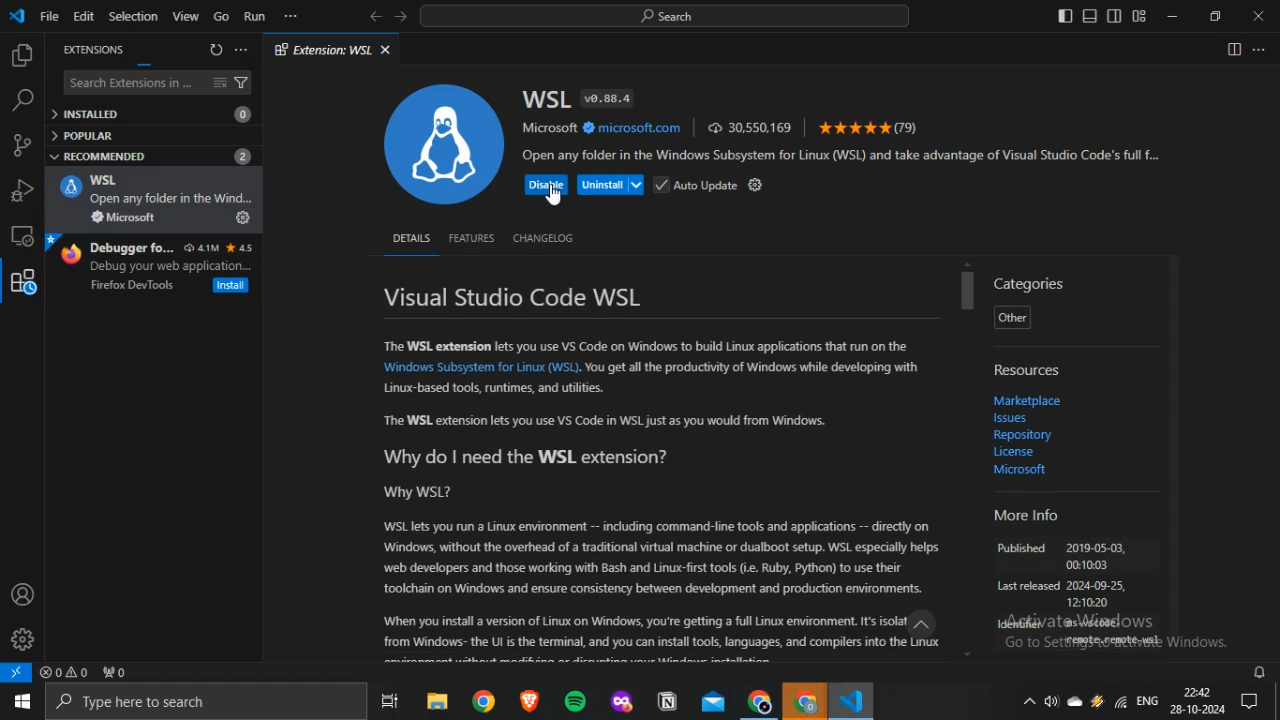 The height and width of the screenshot is (720, 1280). I want to click on 28-10-2024, so click(1197, 709).